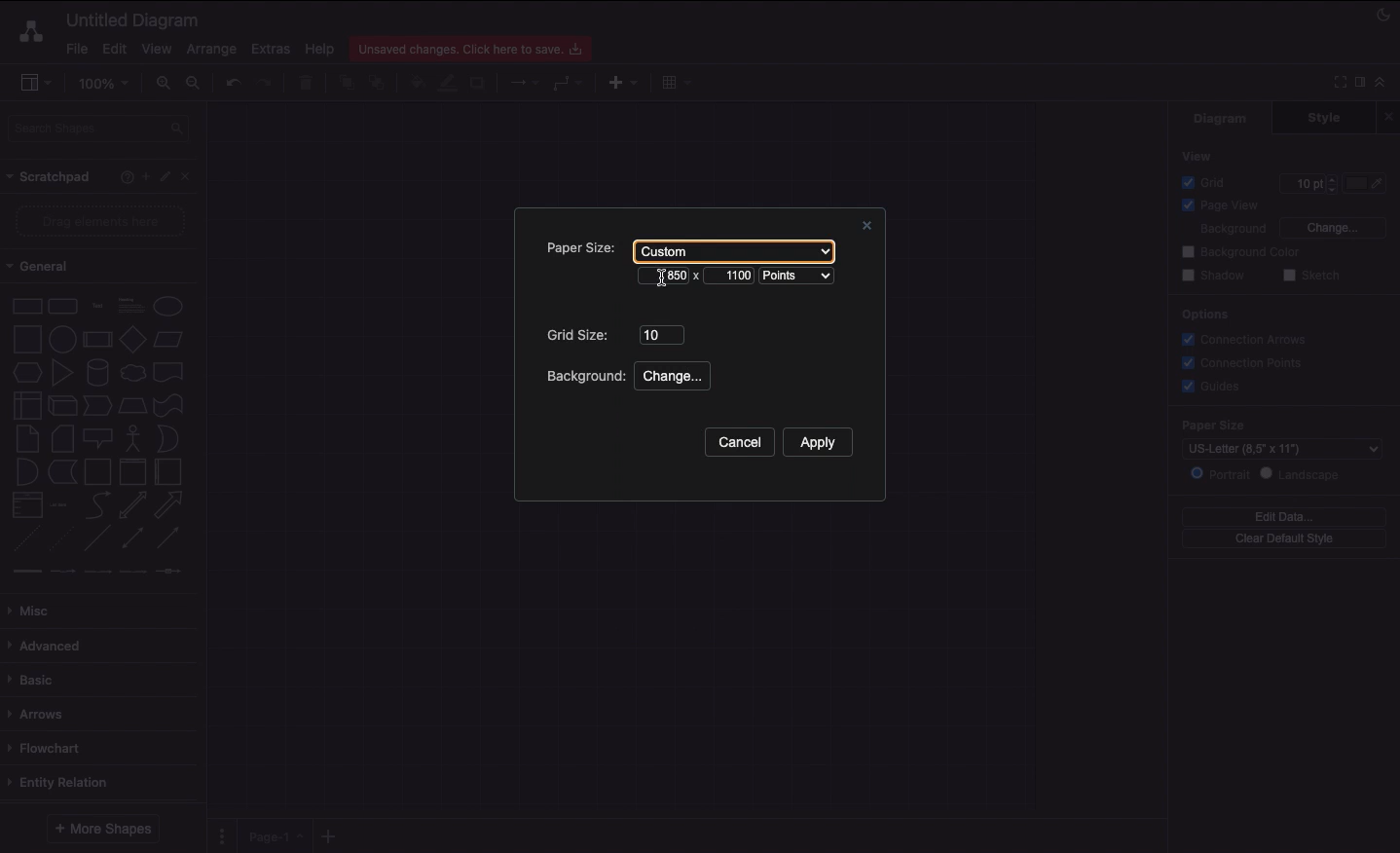  Describe the element at coordinates (1208, 182) in the screenshot. I see `Grid` at that location.